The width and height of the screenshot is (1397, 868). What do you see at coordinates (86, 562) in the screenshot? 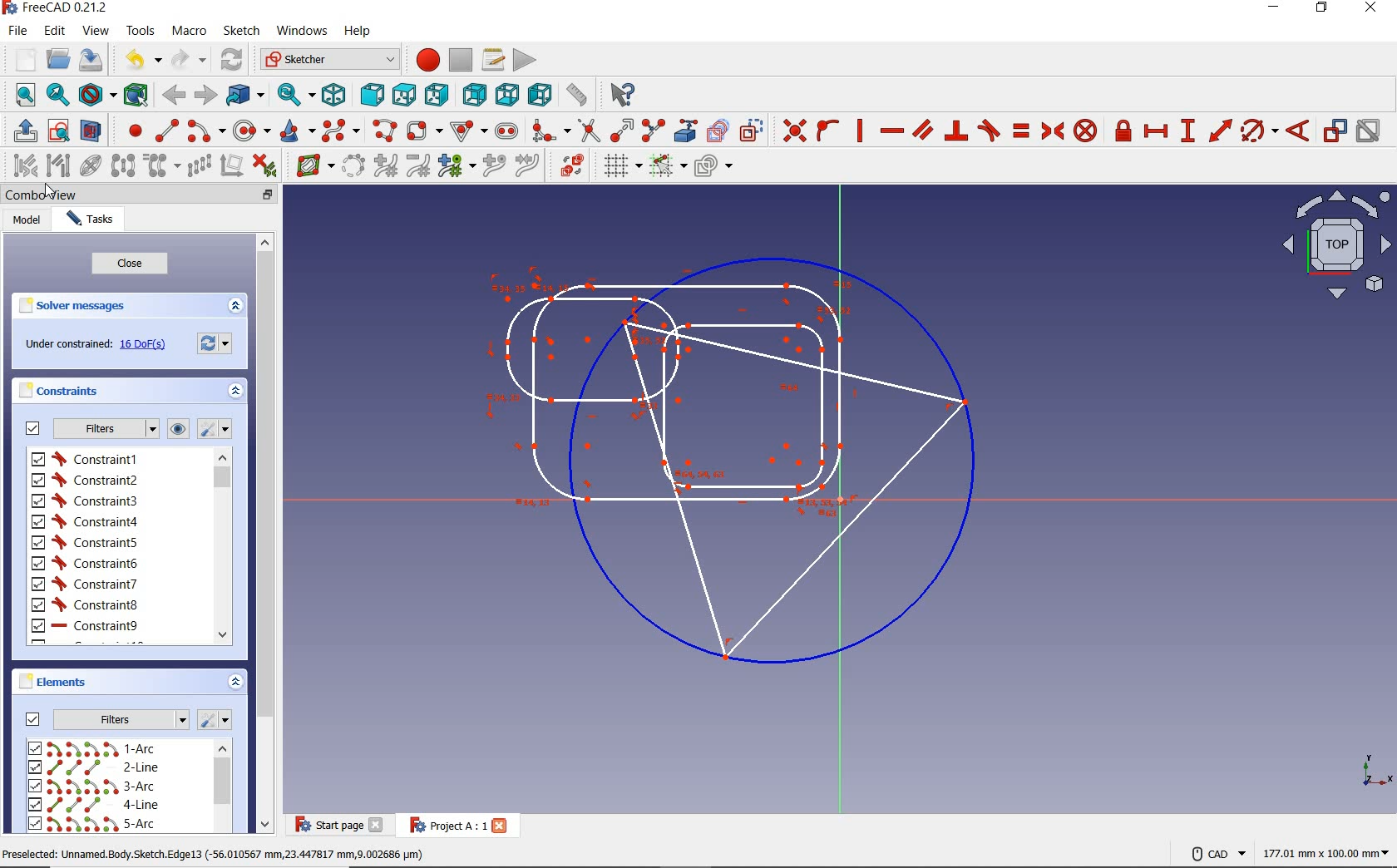
I see `constraint6` at bounding box center [86, 562].